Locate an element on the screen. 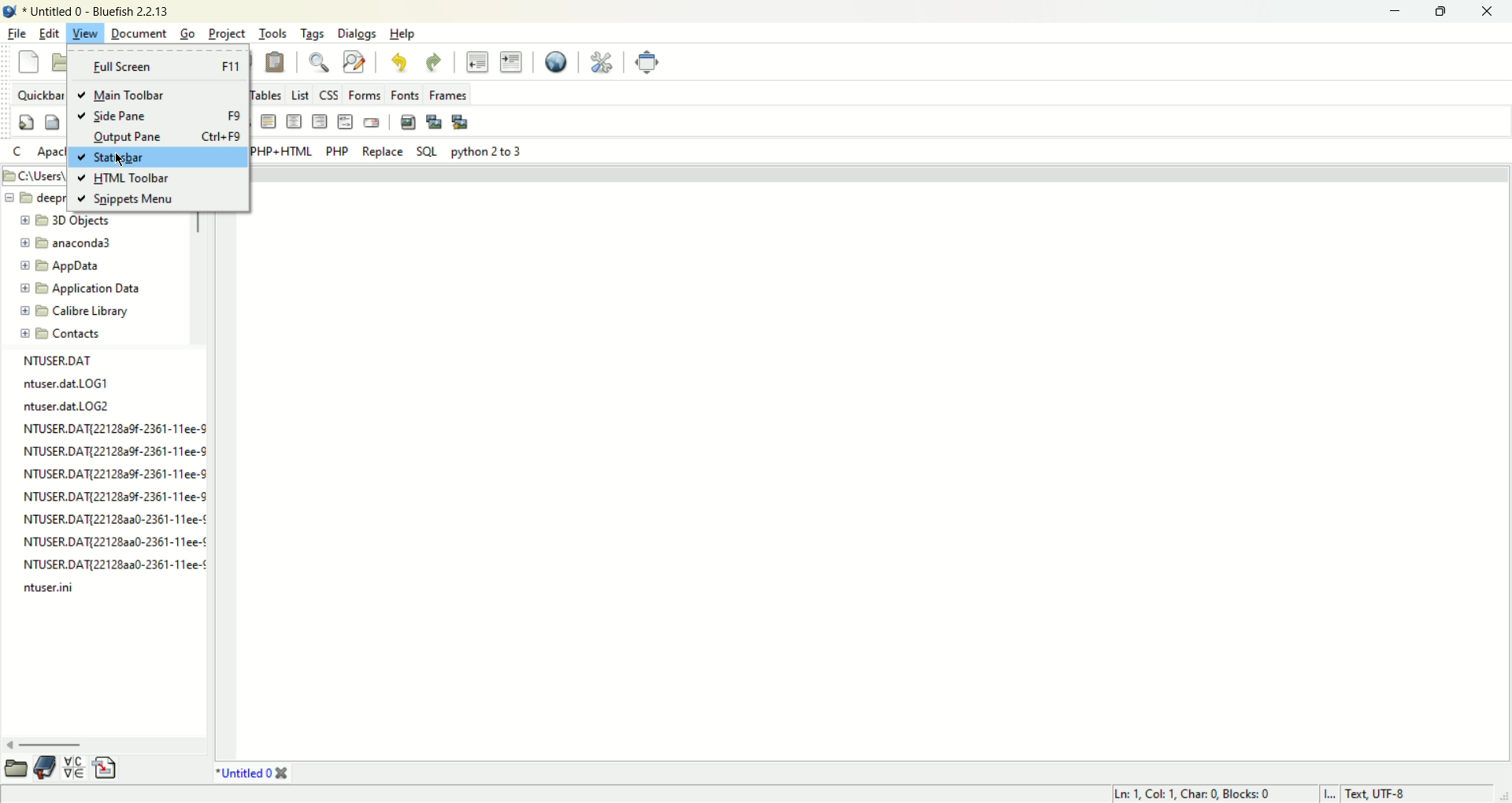 The width and height of the screenshot is (1512, 803). List is located at coordinates (299, 96).